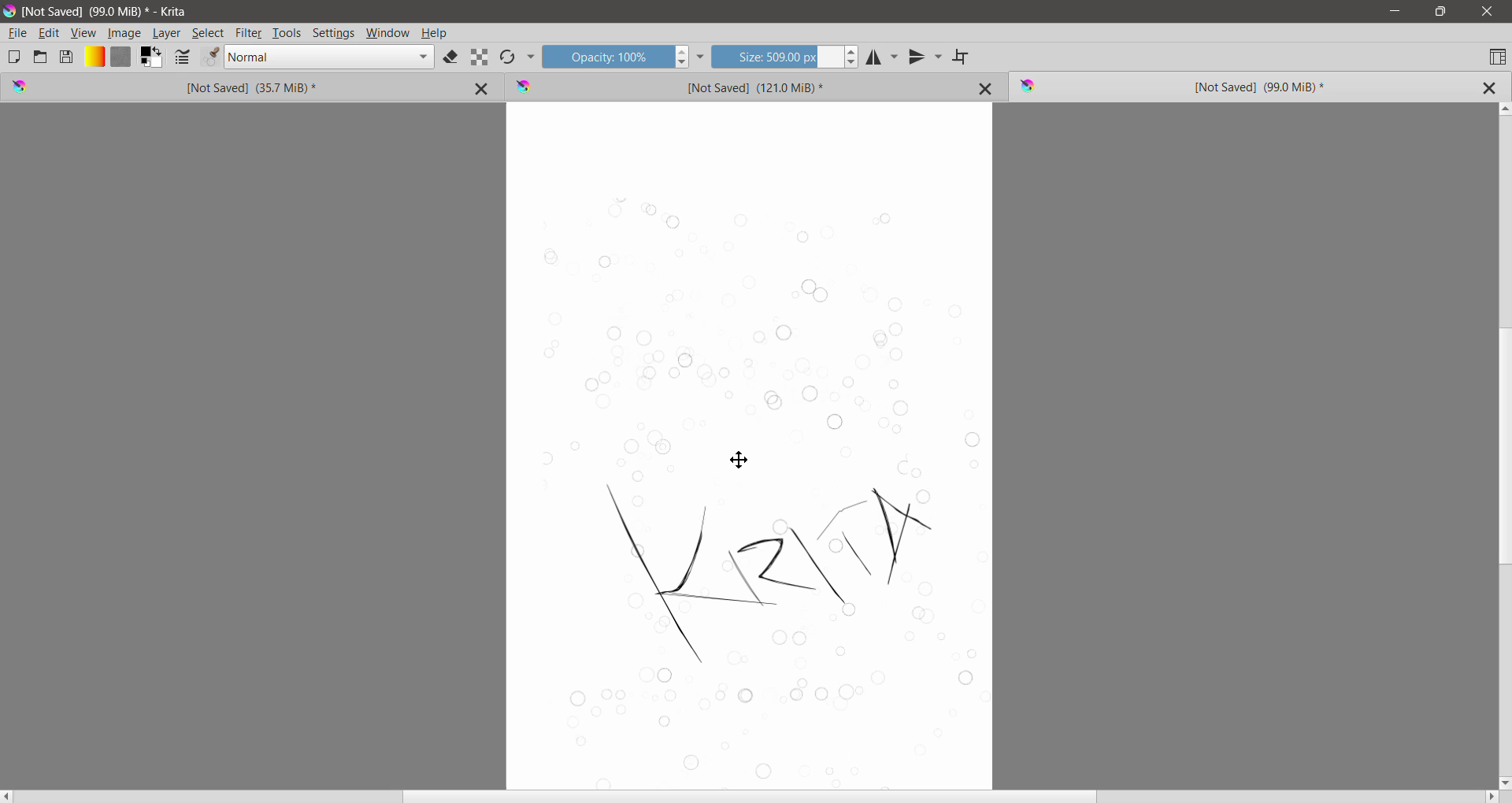 The image size is (1512, 803). What do you see at coordinates (109, 12) in the screenshot?
I see `Fie Title, Size - Application Name` at bounding box center [109, 12].